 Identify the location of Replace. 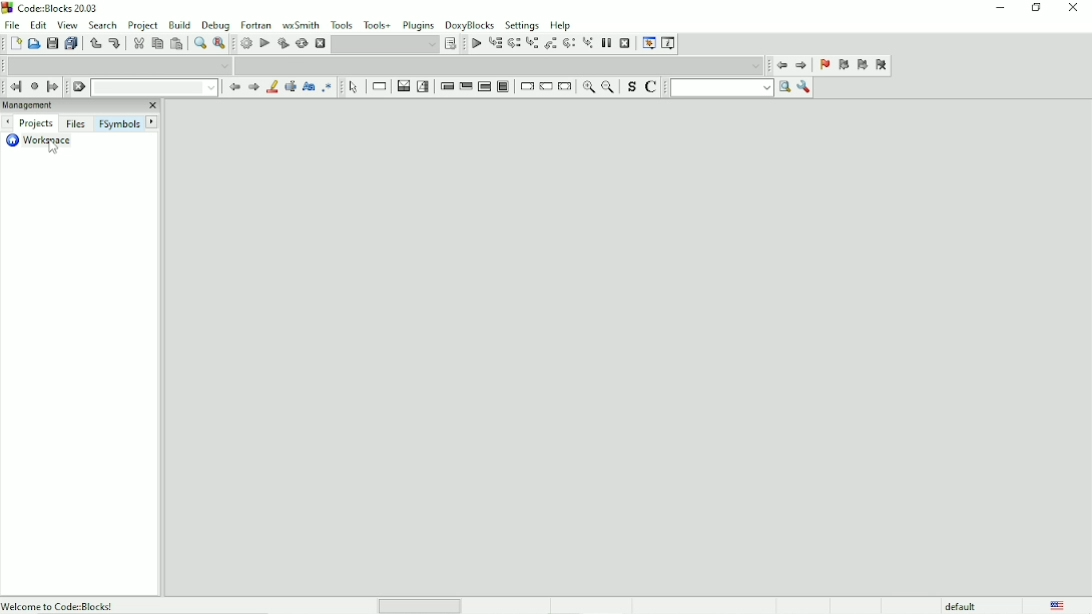
(220, 43).